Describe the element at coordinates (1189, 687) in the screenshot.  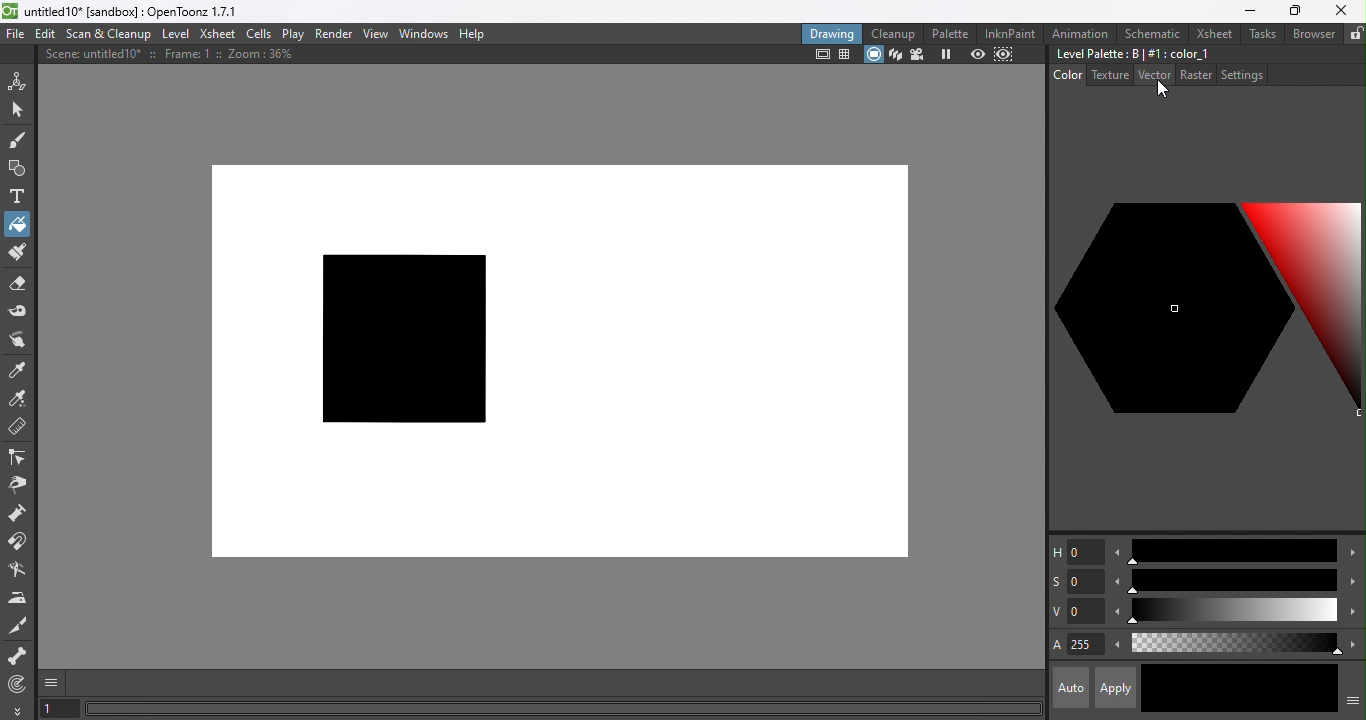
I see `Current style` at that location.